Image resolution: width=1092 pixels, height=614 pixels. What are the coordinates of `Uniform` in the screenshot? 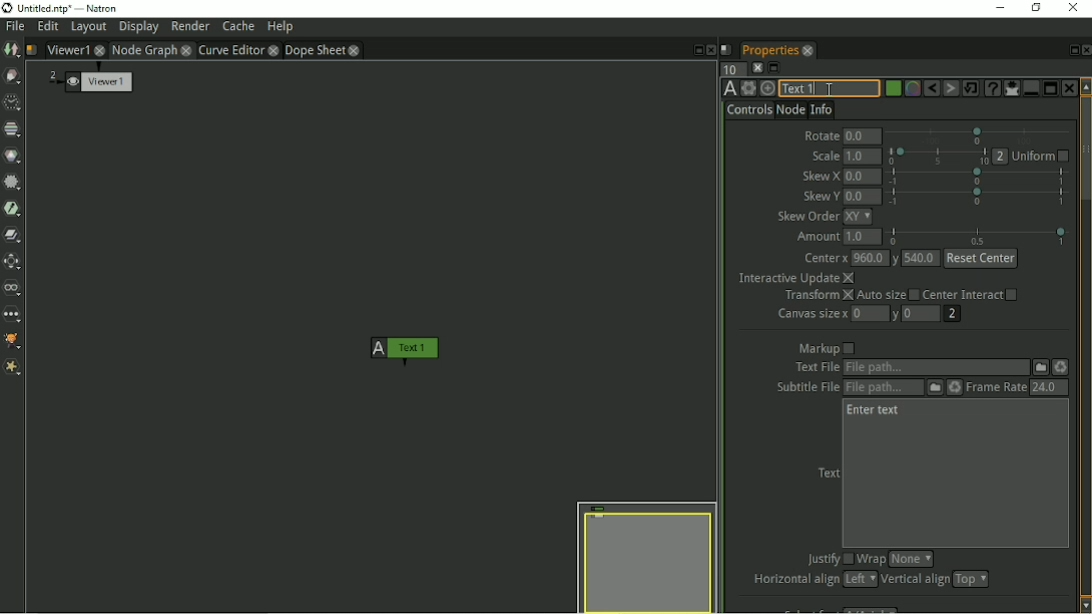 It's located at (1043, 156).